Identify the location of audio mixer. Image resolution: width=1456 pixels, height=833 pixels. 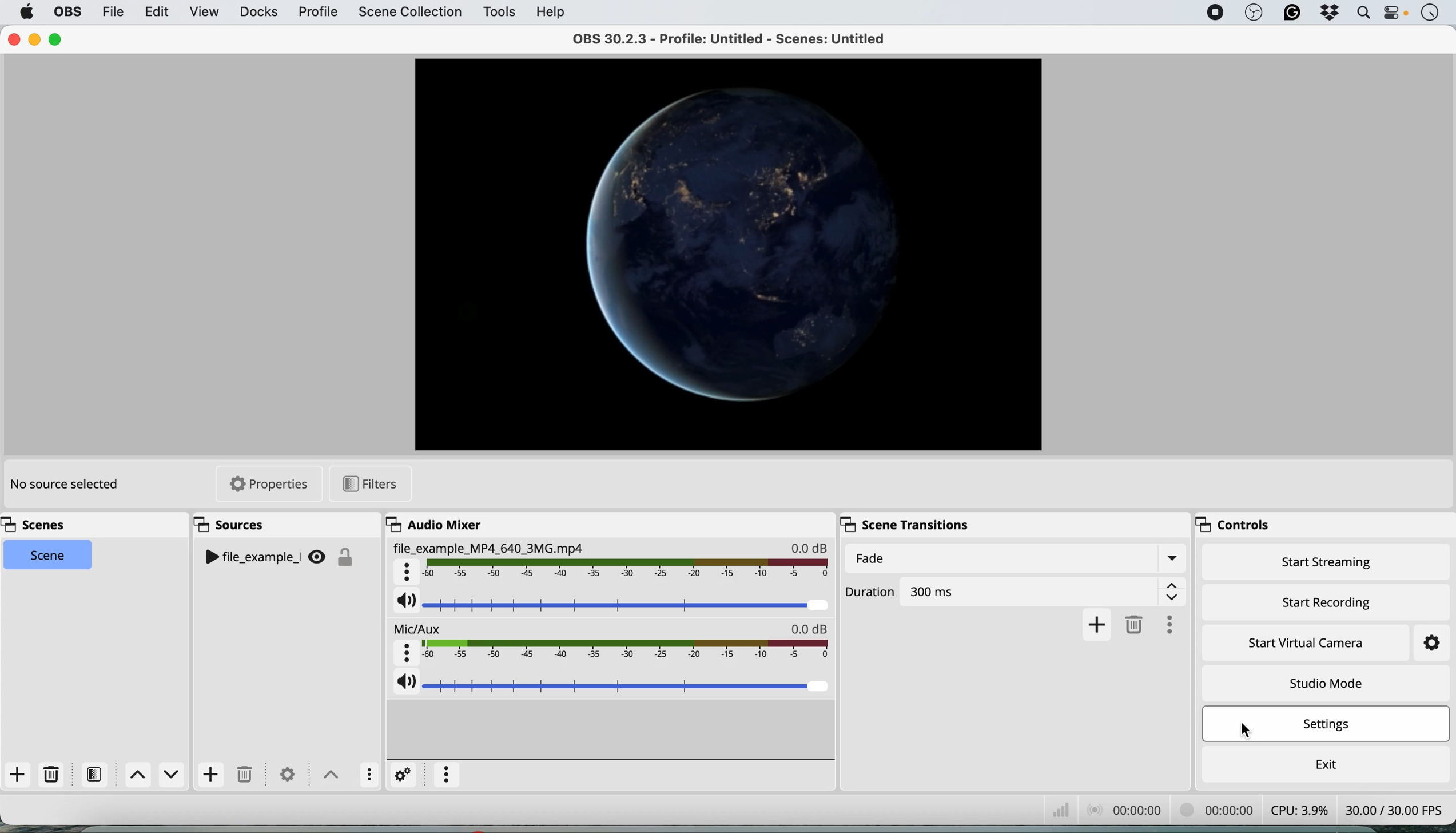
(432, 524).